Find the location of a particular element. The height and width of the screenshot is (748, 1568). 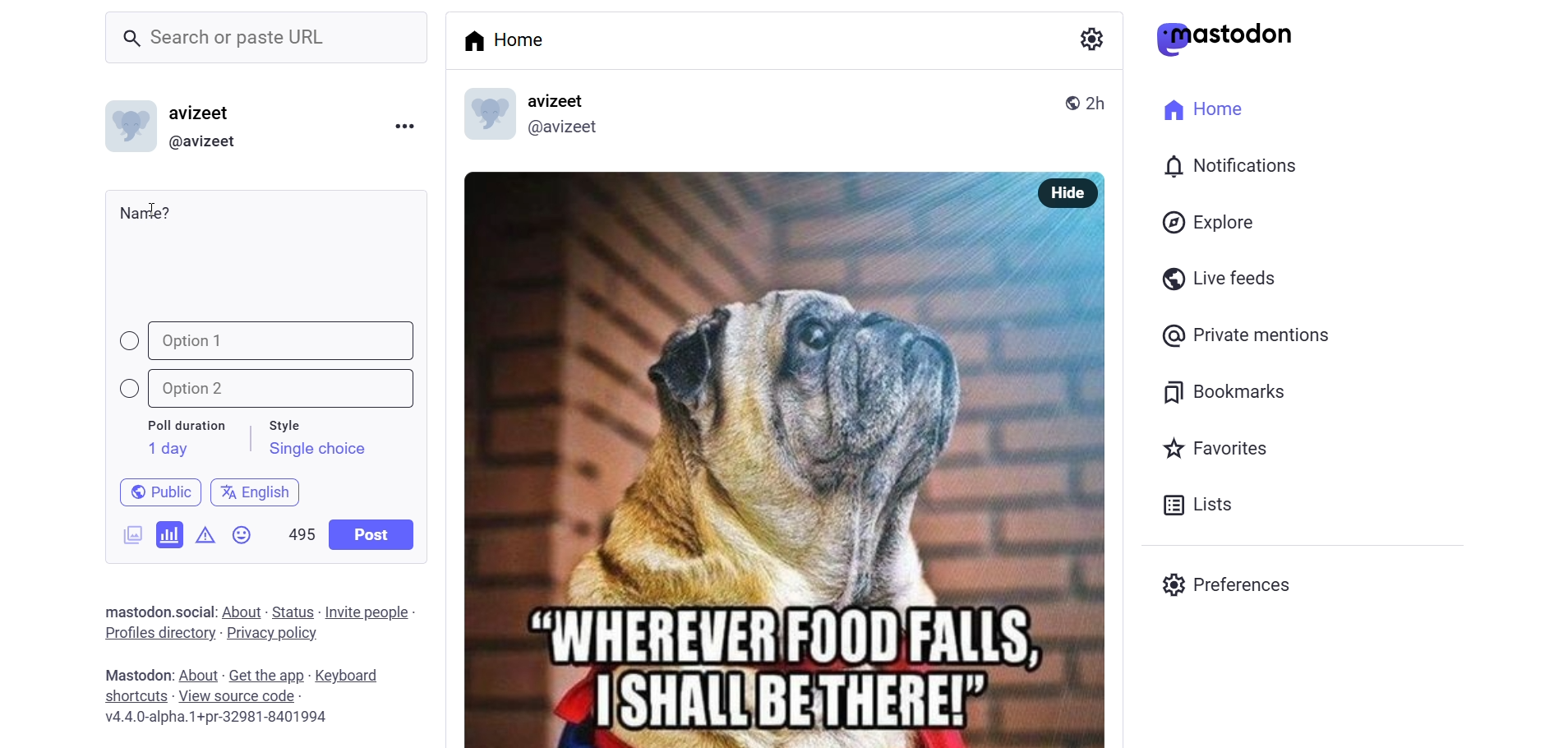

post image is located at coordinates (733, 451).